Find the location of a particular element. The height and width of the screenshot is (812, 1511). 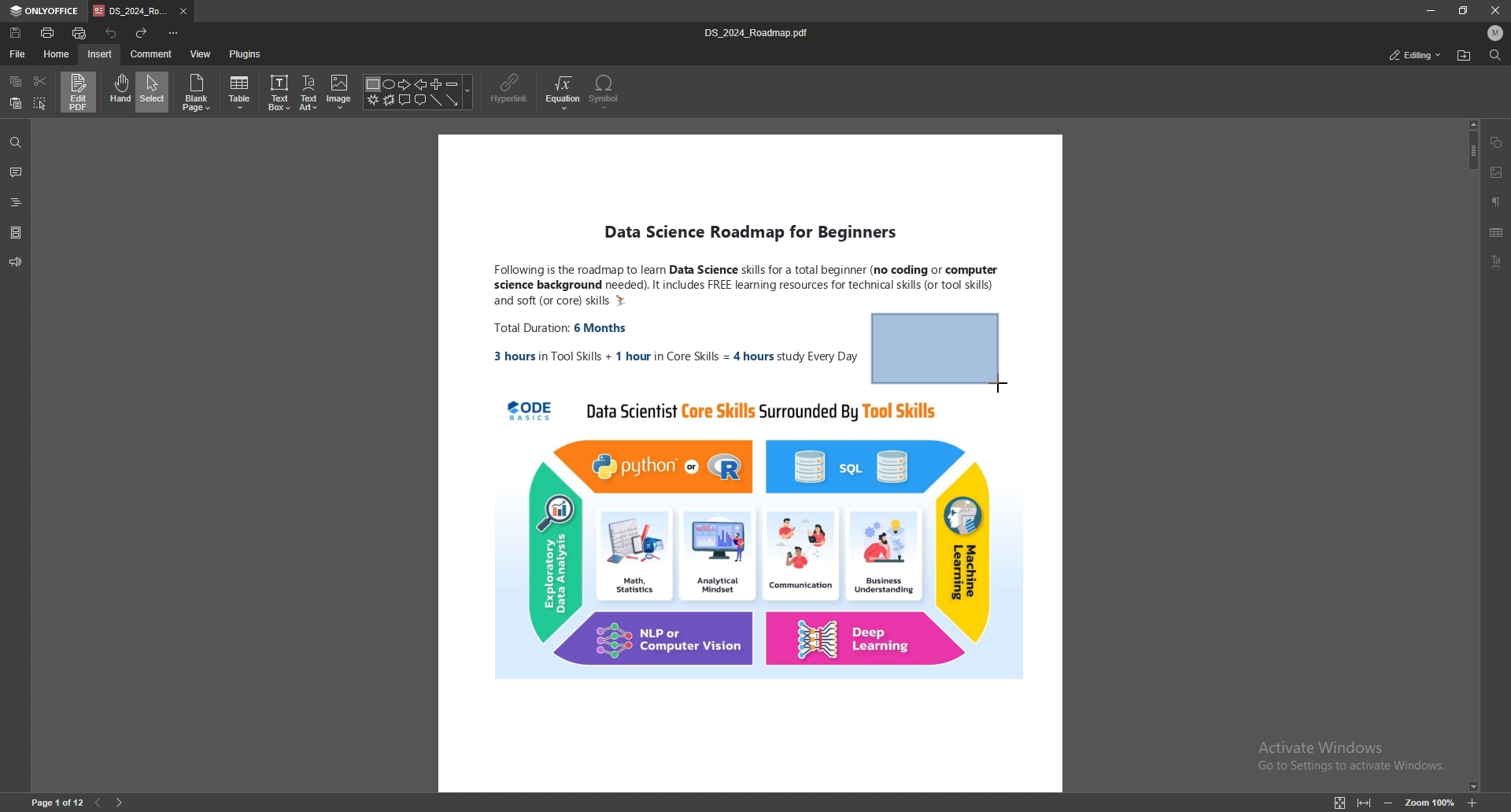

find is located at coordinates (1494, 55).